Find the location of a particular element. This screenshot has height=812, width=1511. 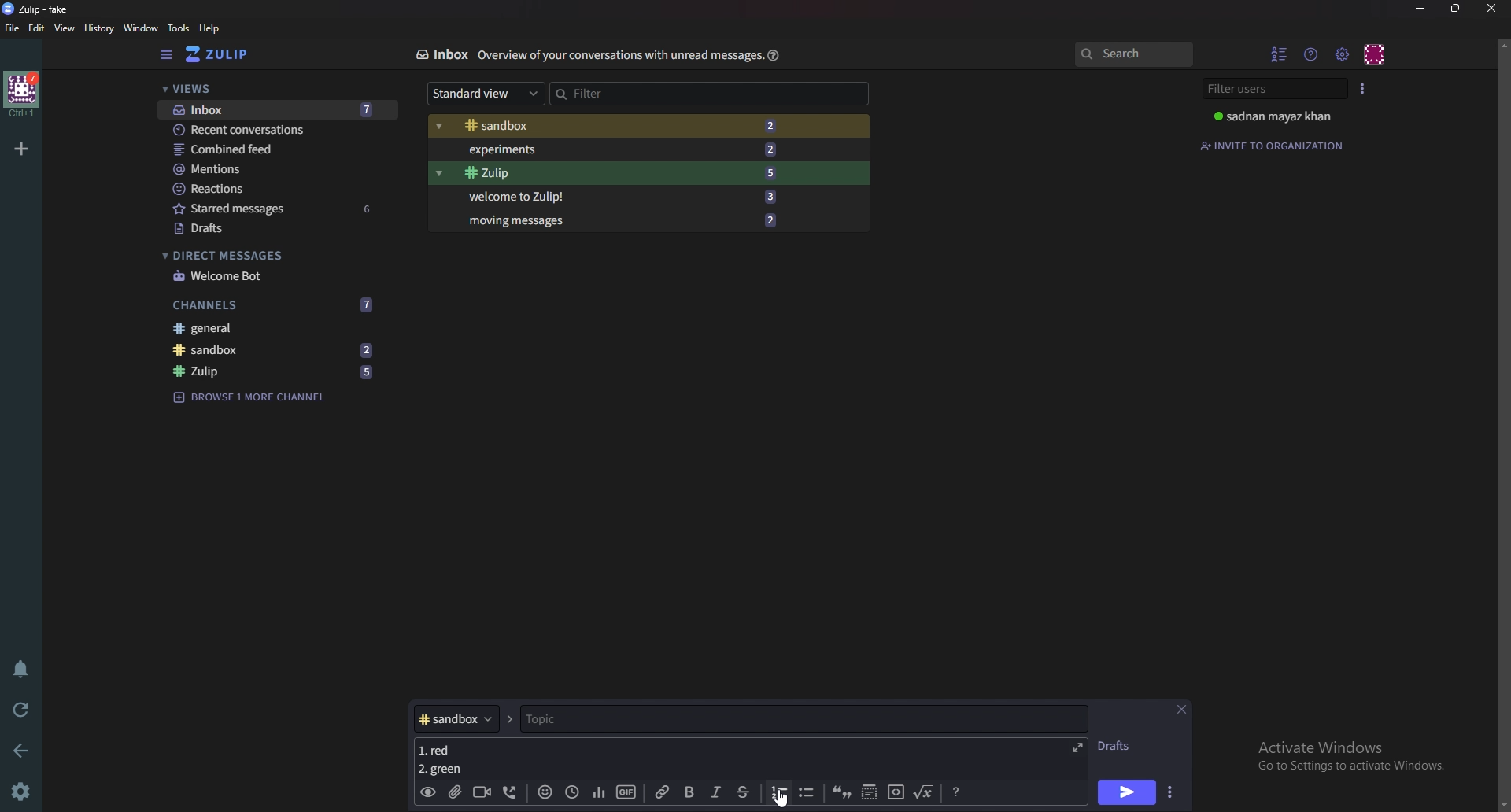

Settings is located at coordinates (24, 791).